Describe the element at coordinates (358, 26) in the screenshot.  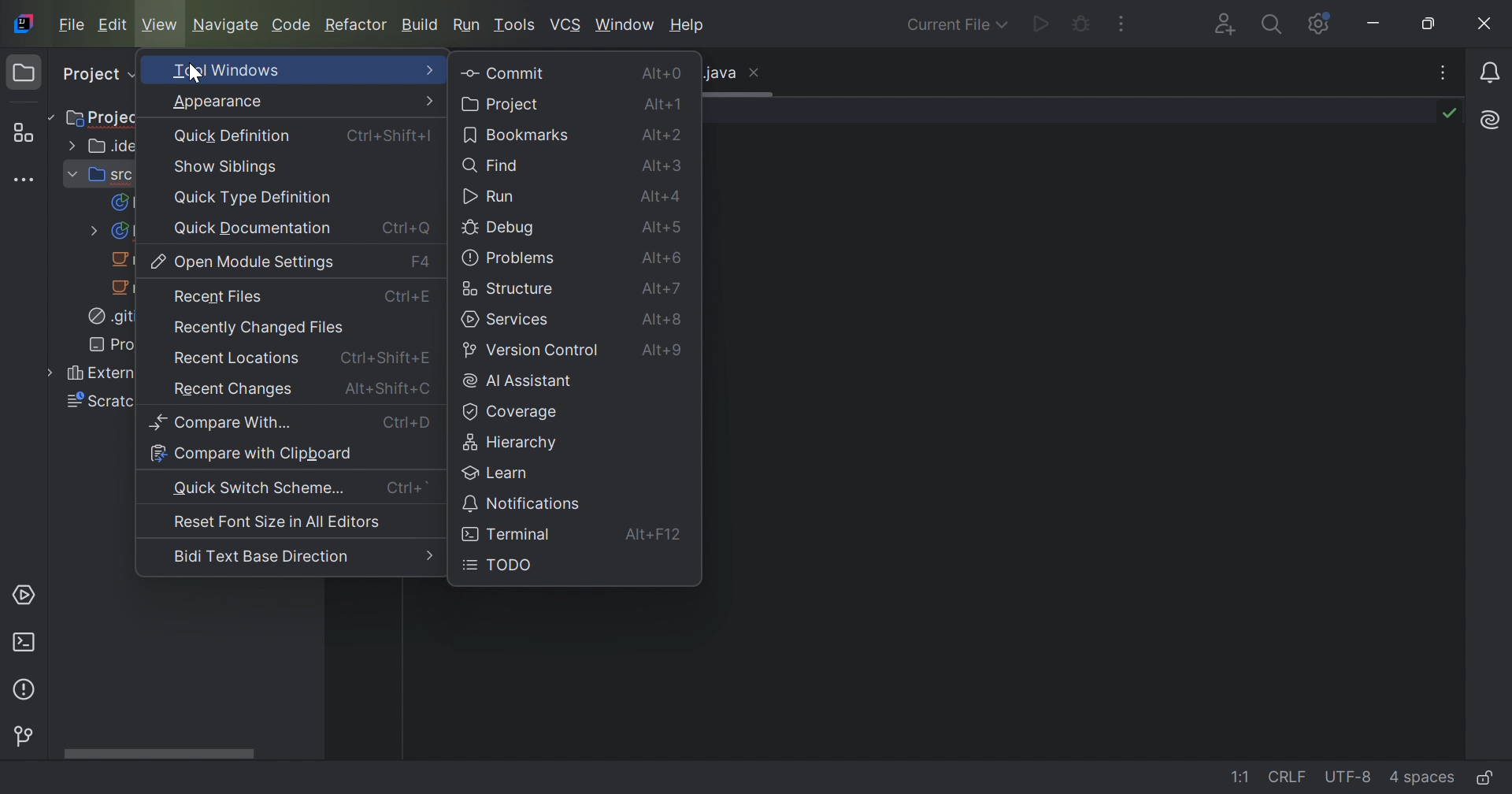
I see `Refactor` at that location.